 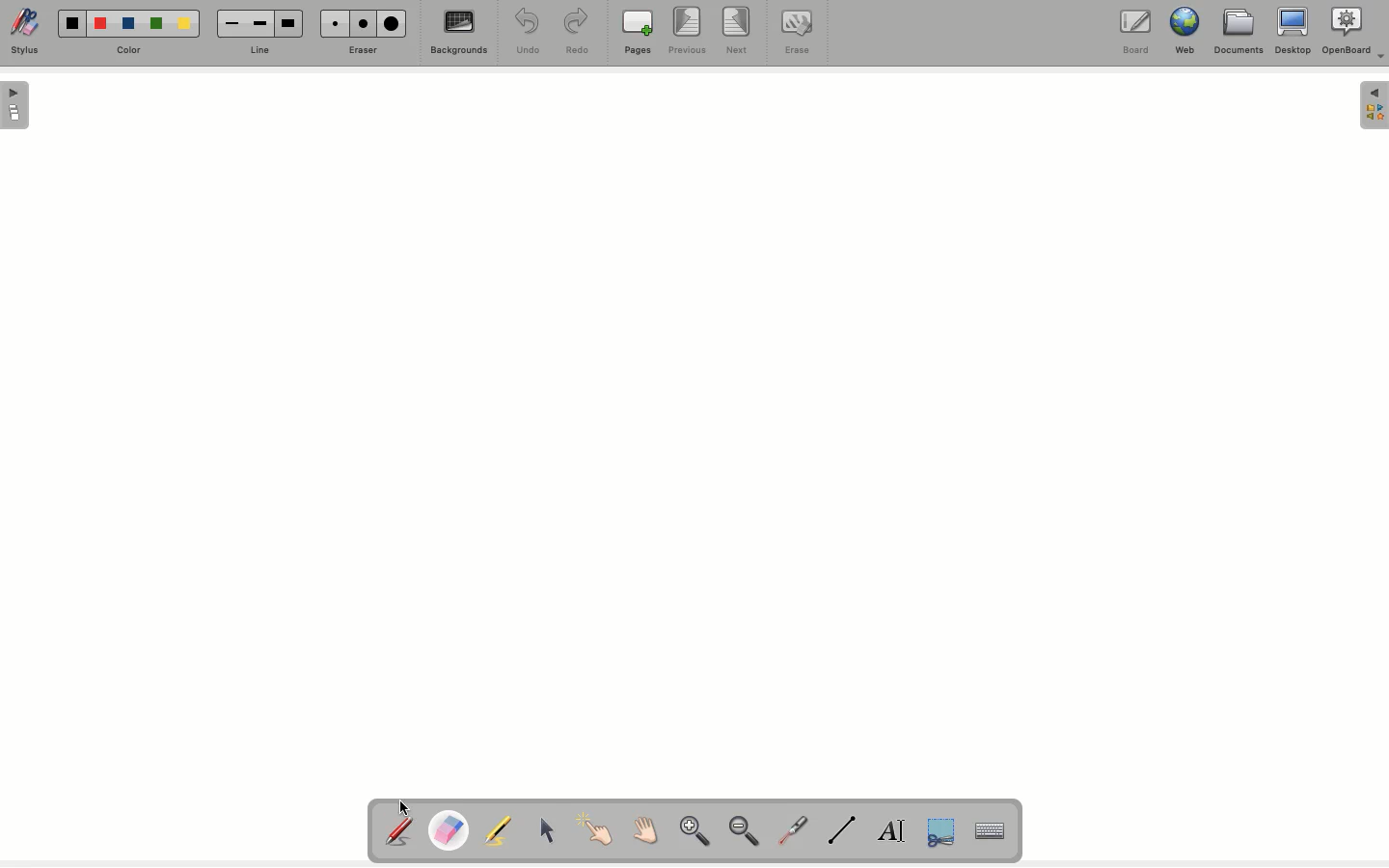 I want to click on cursor, so click(x=406, y=808).